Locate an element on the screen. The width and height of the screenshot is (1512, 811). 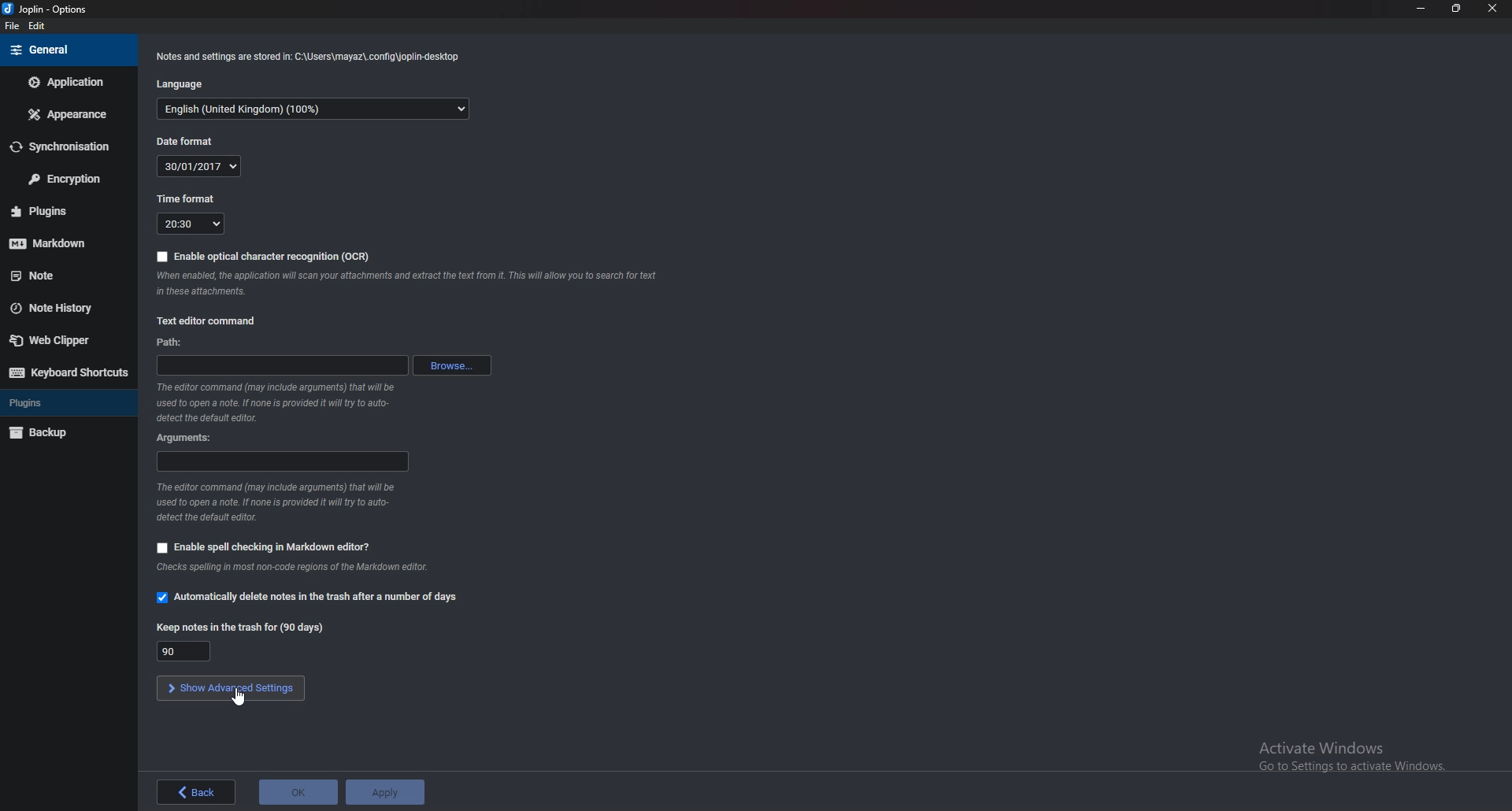
close is located at coordinates (1490, 8).